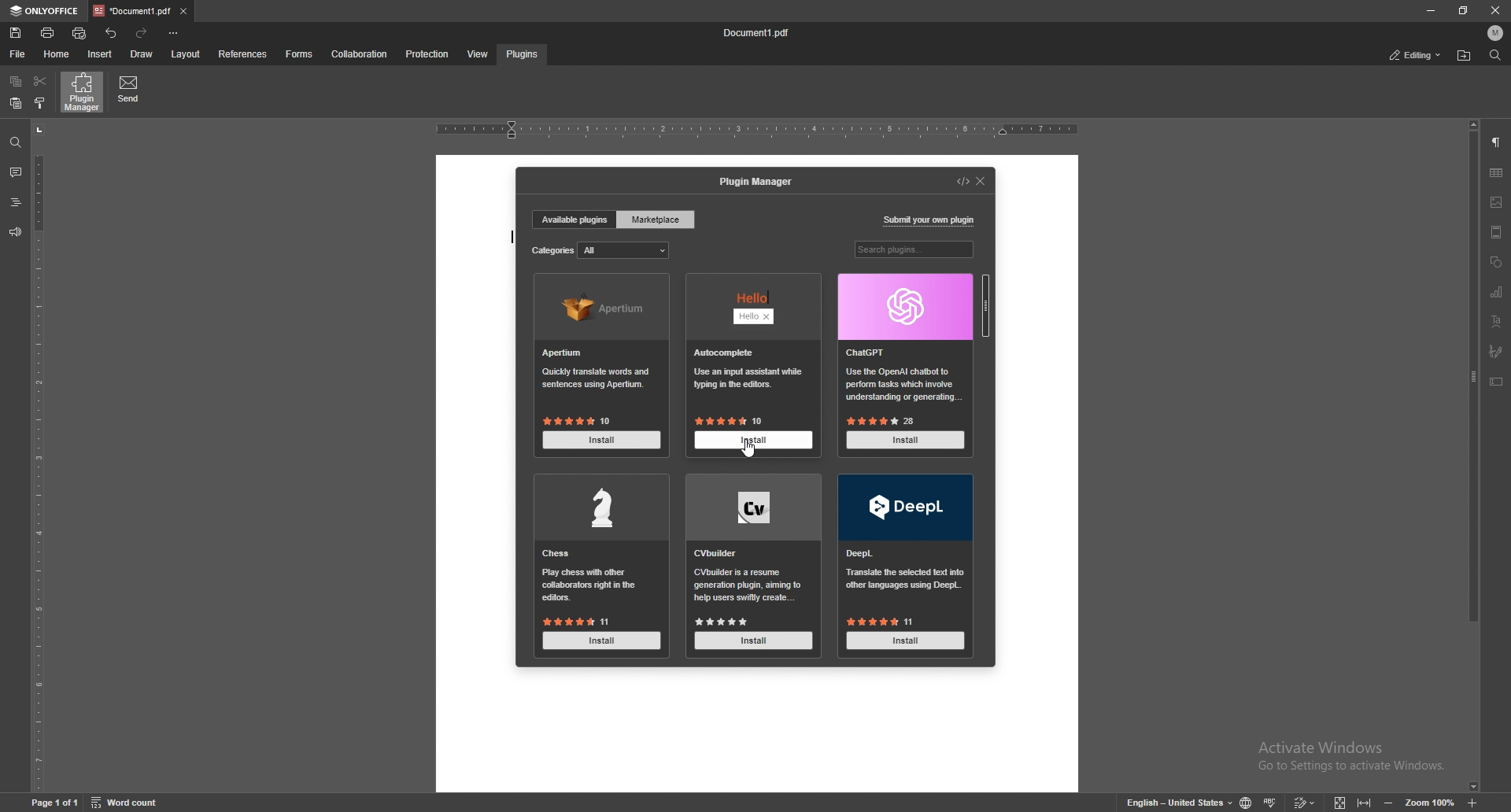 Image resolution: width=1511 pixels, height=812 pixels. What do you see at coordinates (907, 441) in the screenshot?
I see `install` at bounding box center [907, 441].